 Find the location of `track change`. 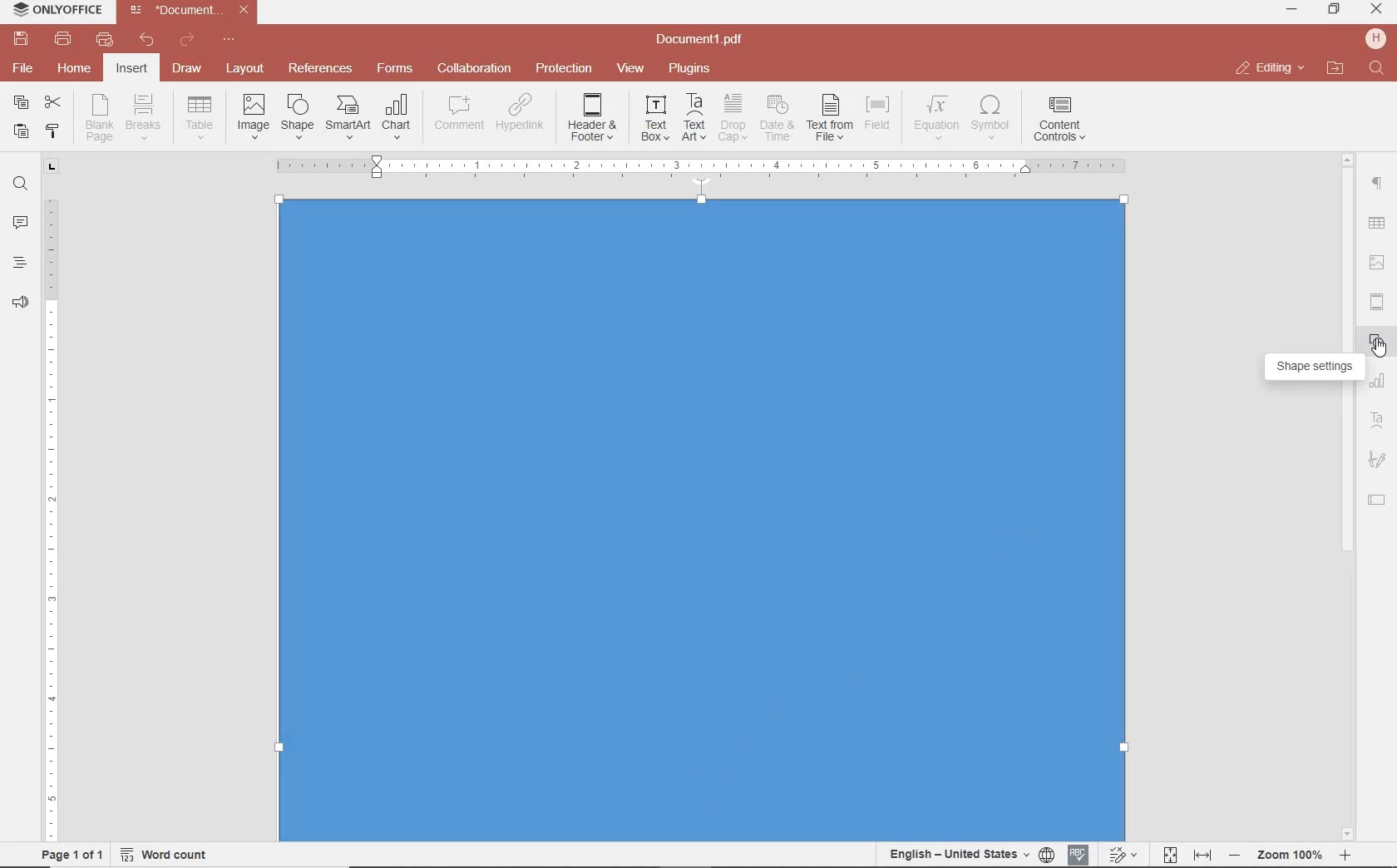

track change is located at coordinates (1121, 856).